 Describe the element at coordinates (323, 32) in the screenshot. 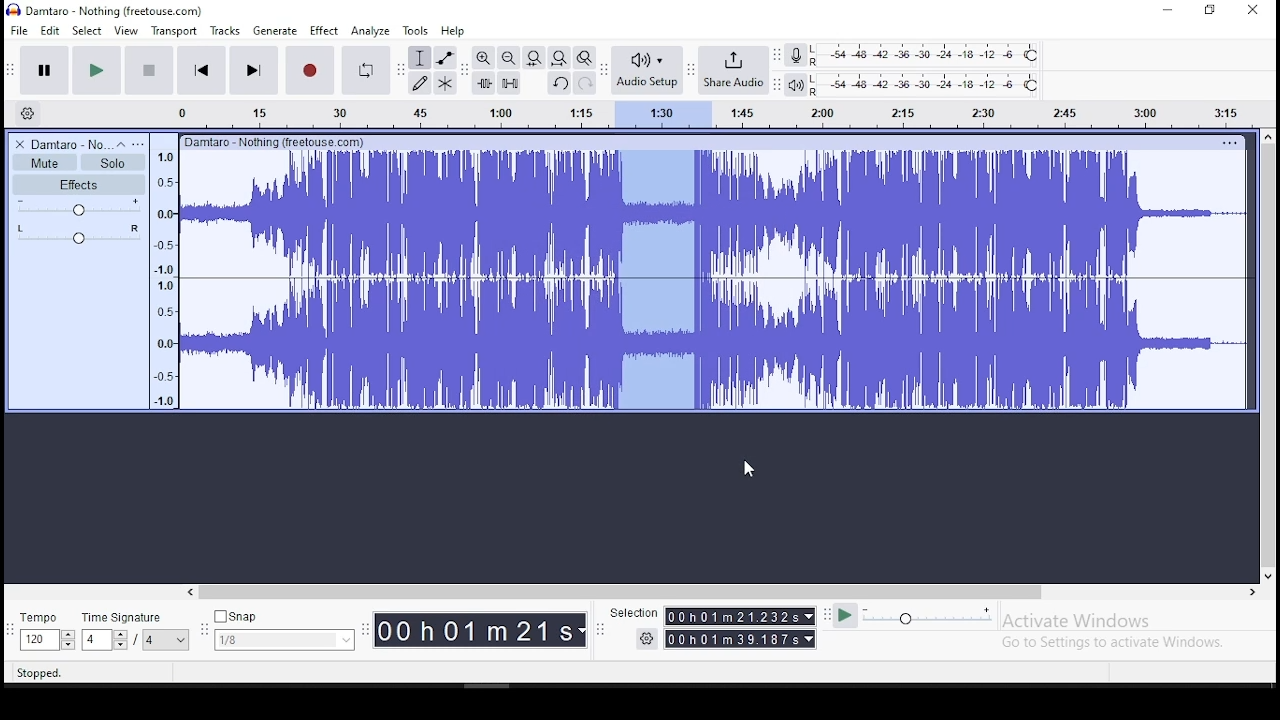

I see `effect` at that location.